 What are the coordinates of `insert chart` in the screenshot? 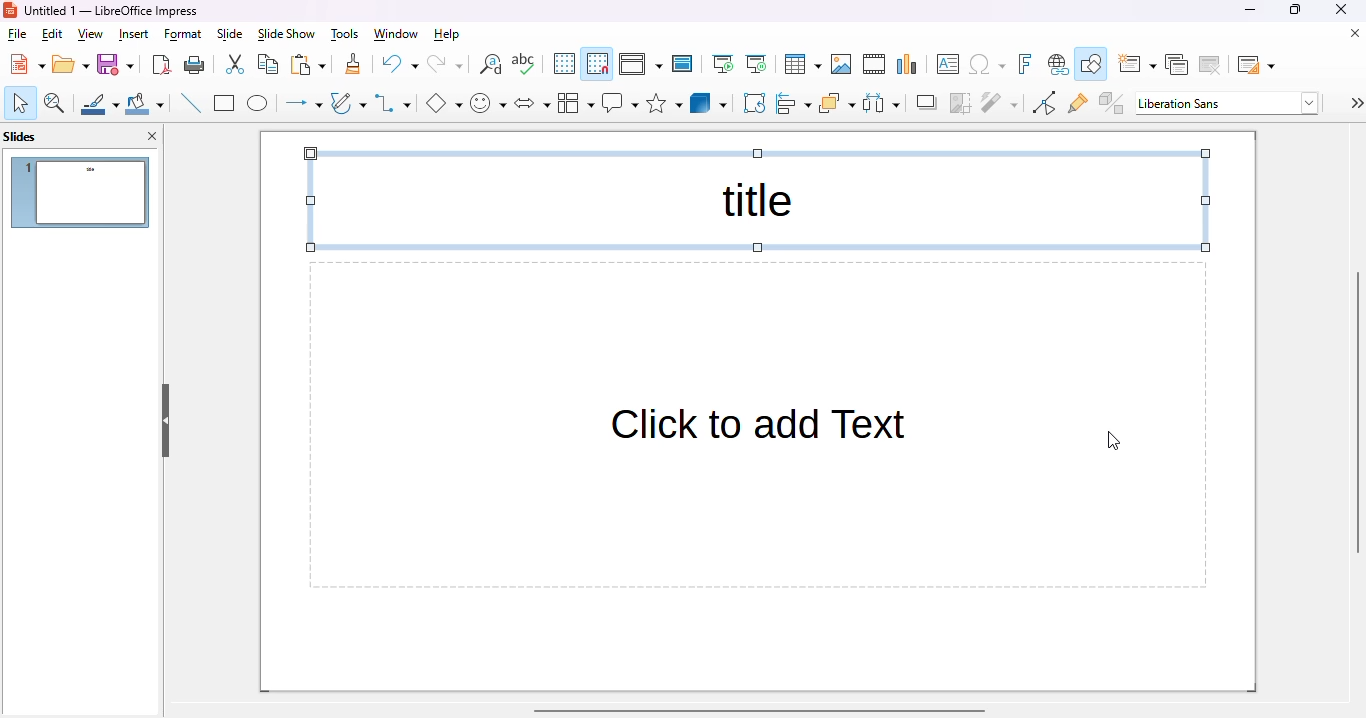 It's located at (908, 65).